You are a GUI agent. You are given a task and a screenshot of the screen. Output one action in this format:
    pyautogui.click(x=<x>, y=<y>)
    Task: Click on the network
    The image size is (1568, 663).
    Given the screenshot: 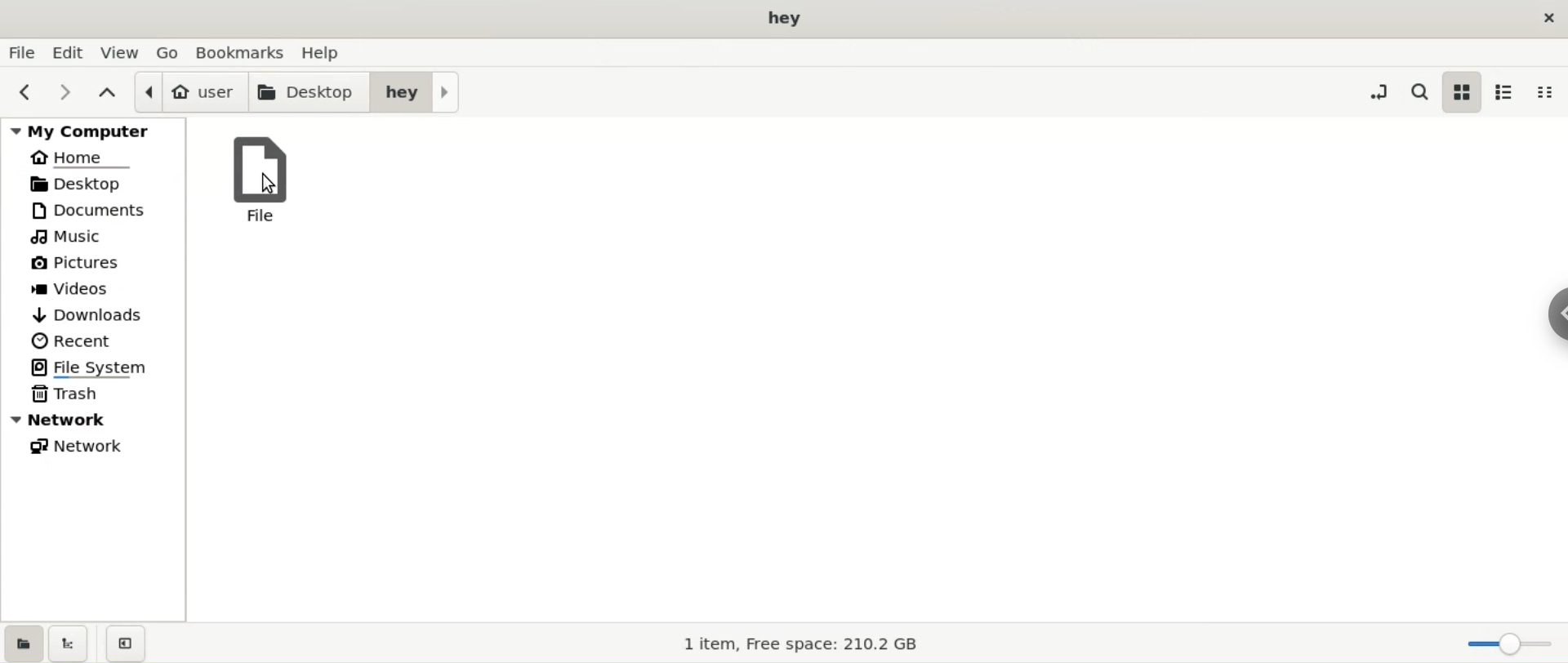 What is the action you would take?
    pyautogui.click(x=92, y=419)
    